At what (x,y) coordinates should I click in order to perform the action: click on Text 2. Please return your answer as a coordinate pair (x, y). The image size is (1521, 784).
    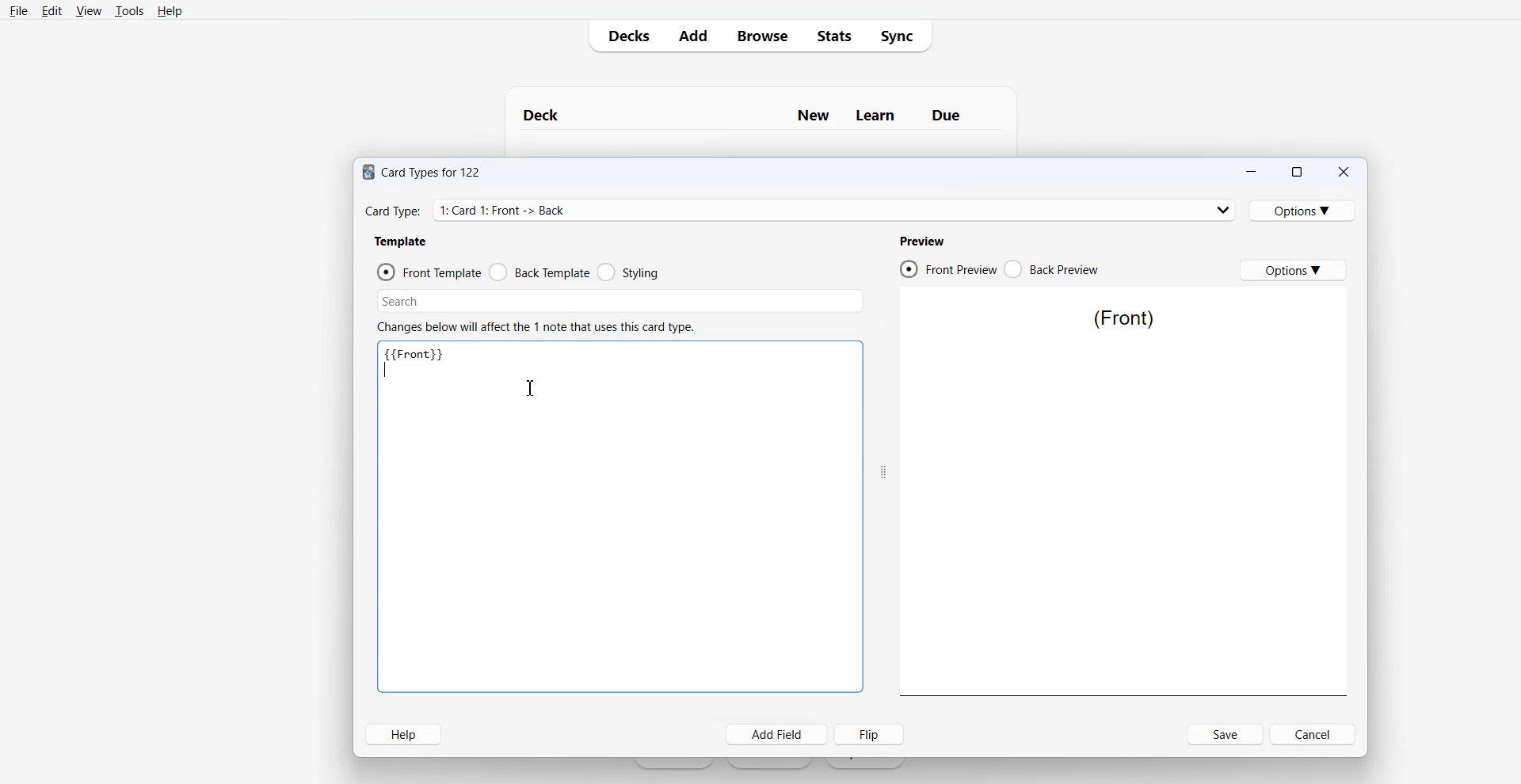
    Looking at the image, I should click on (536, 327).